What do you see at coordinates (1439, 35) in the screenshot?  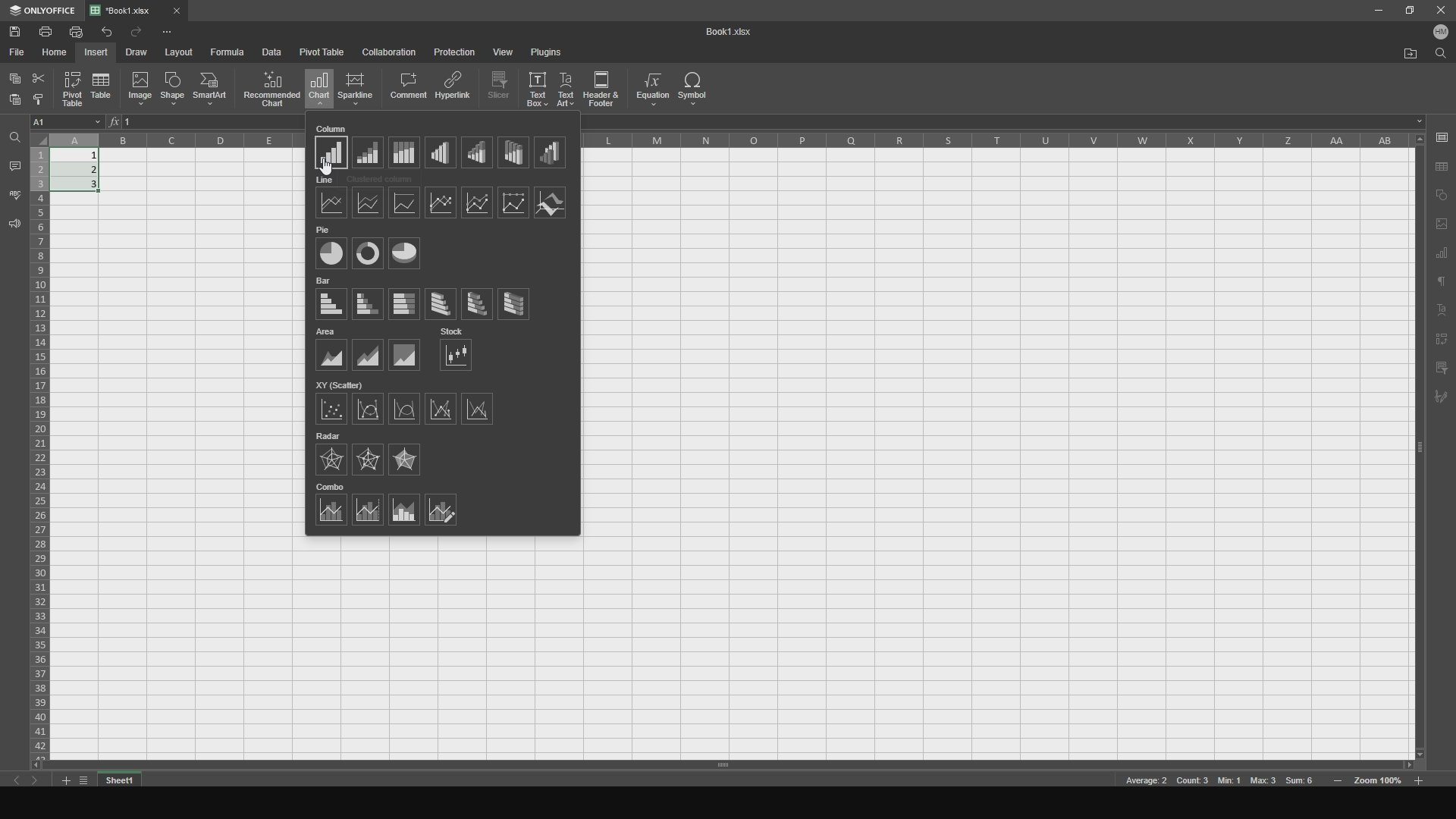 I see `user` at bounding box center [1439, 35].